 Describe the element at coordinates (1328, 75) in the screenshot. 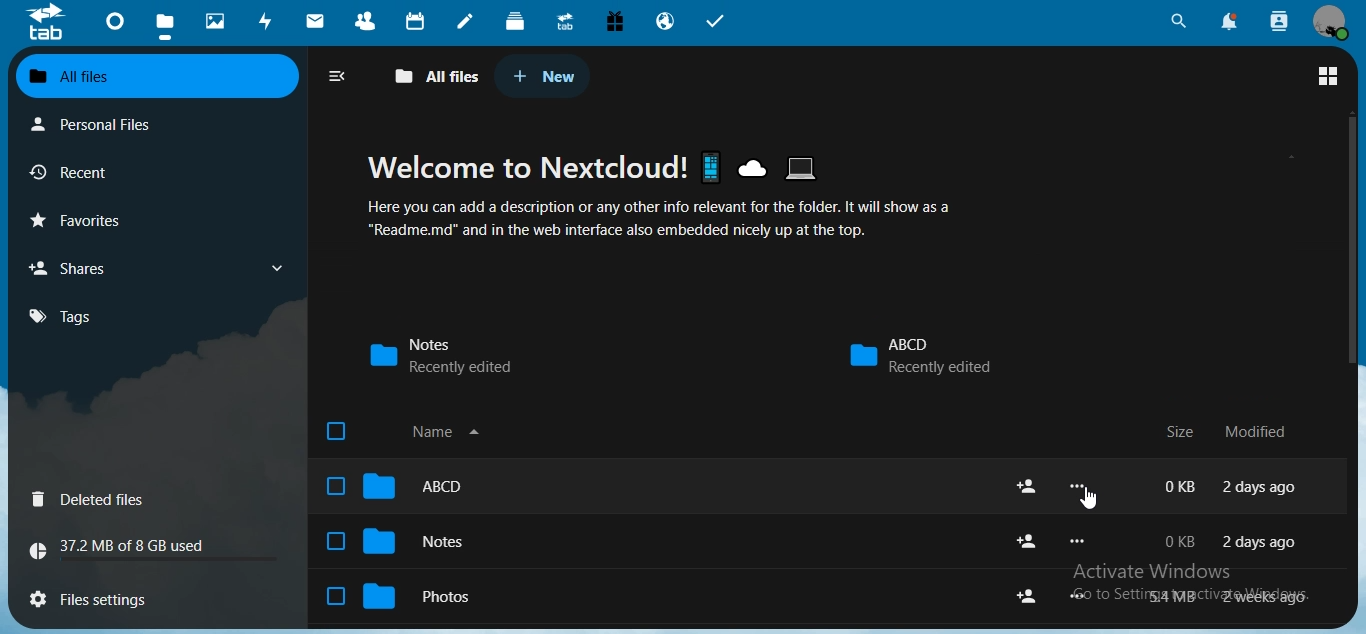

I see `switch to grid view` at that location.